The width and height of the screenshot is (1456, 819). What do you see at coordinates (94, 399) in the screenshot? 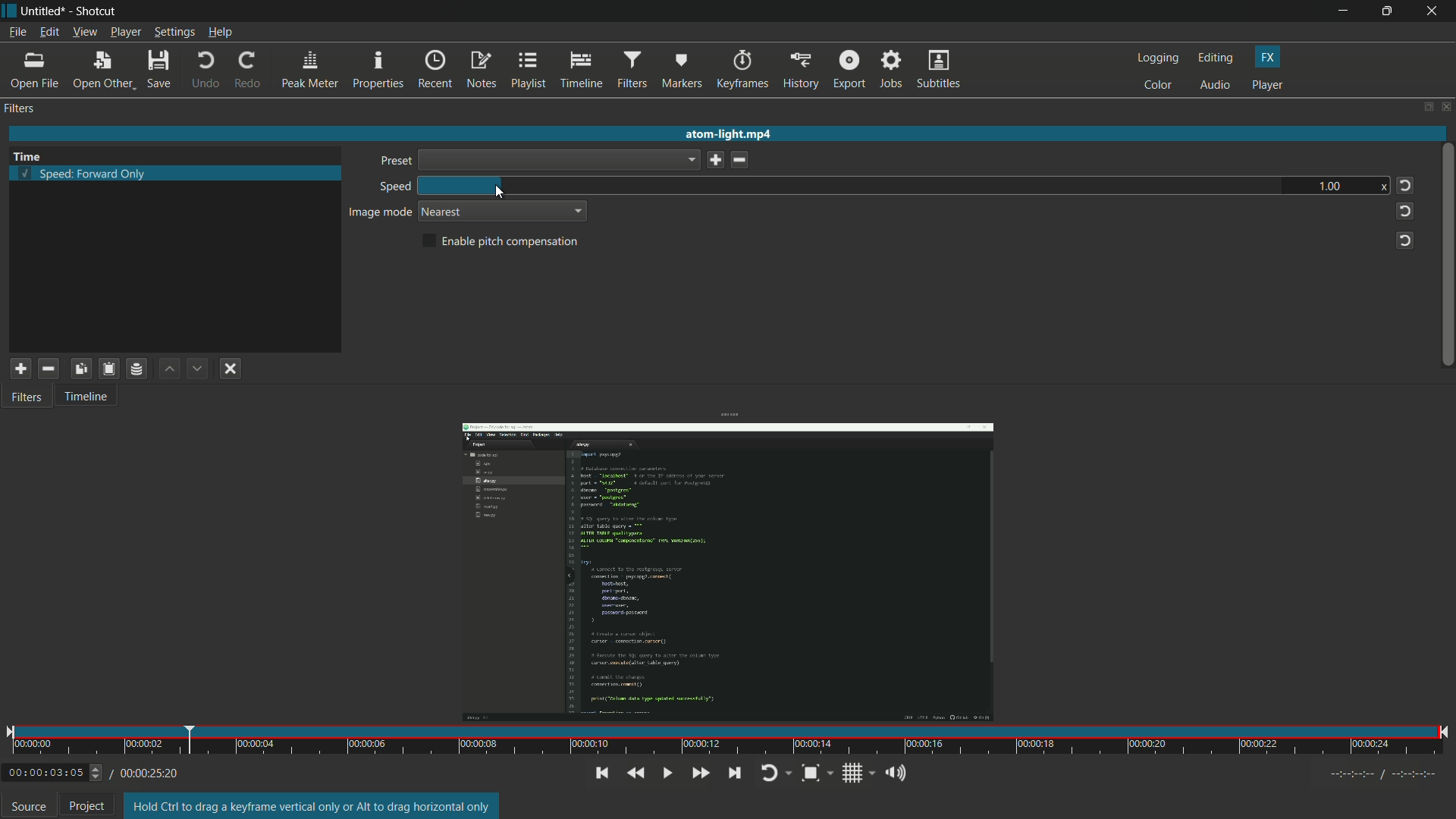
I see `Timeline` at bounding box center [94, 399].